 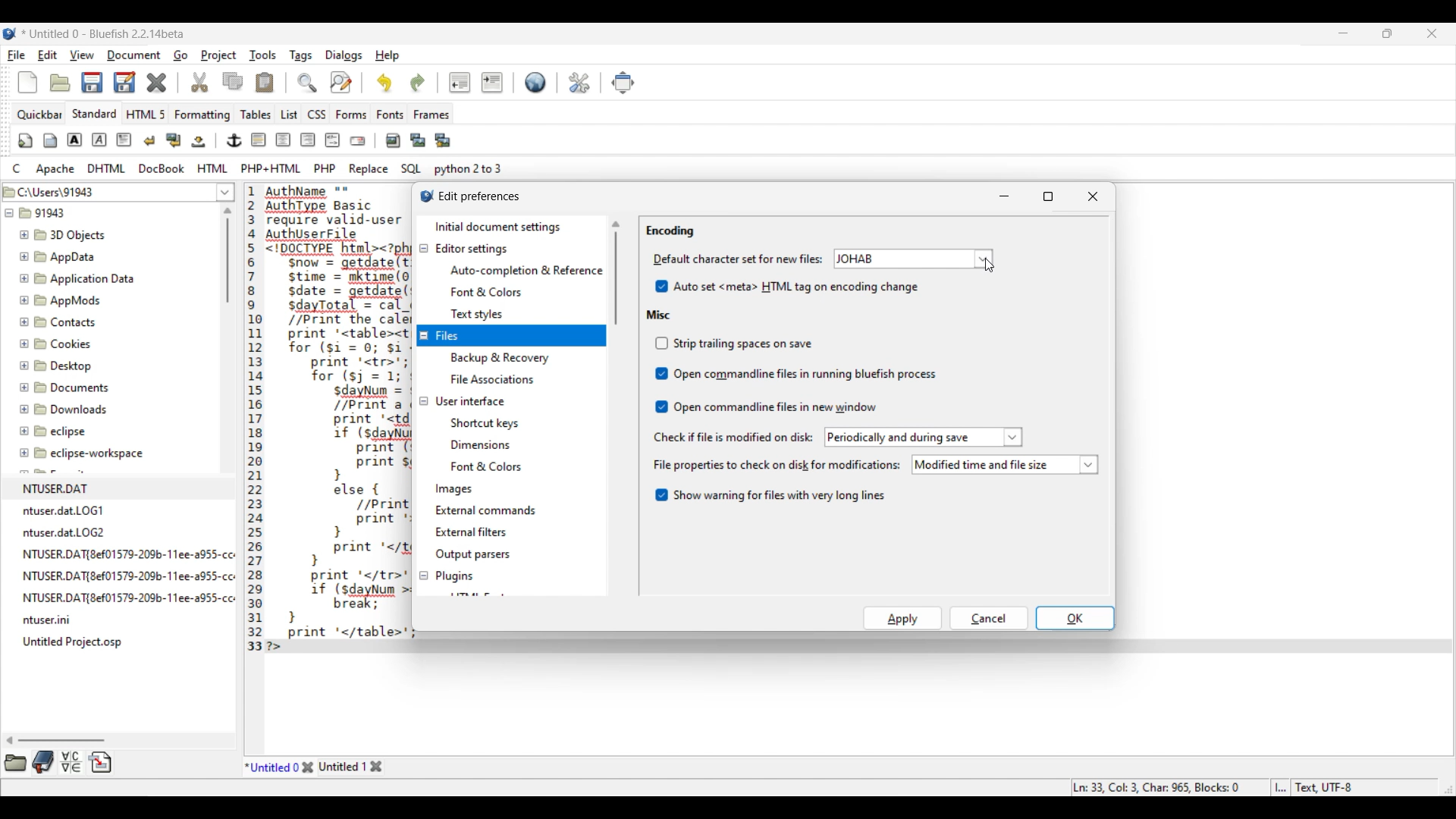 What do you see at coordinates (770, 496) in the screenshot?
I see `Toggle for warning about long files` at bounding box center [770, 496].